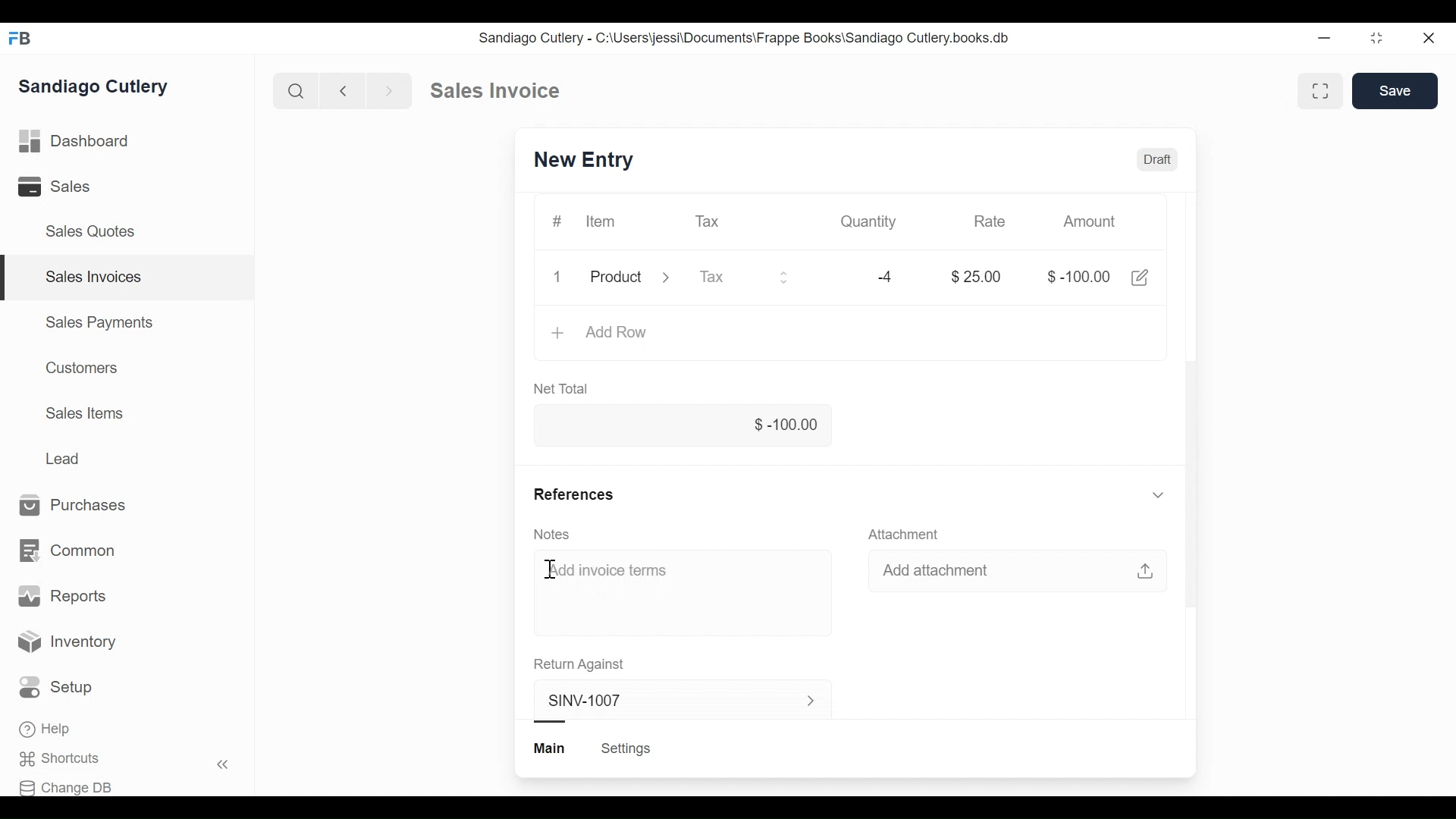 This screenshot has width=1456, height=819. I want to click on Sales Items, so click(84, 413).